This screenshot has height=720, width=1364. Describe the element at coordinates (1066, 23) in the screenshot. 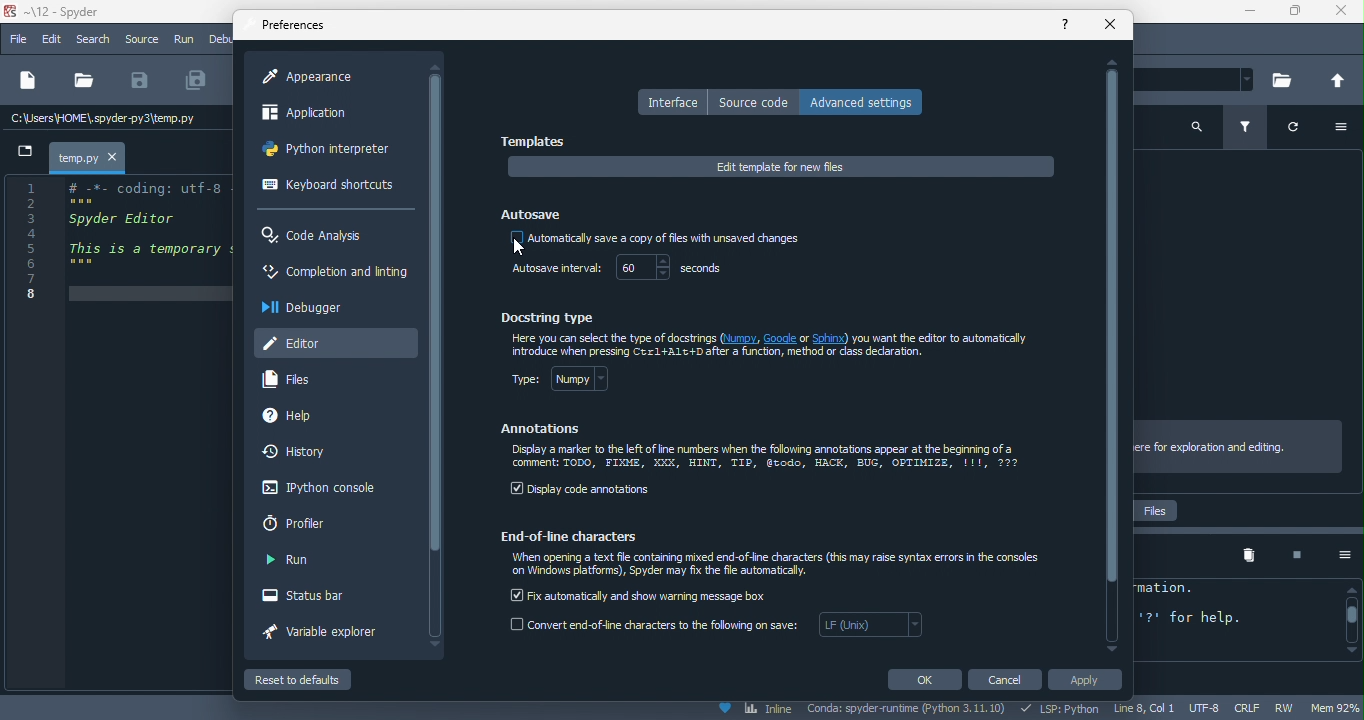

I see `help` at that location.